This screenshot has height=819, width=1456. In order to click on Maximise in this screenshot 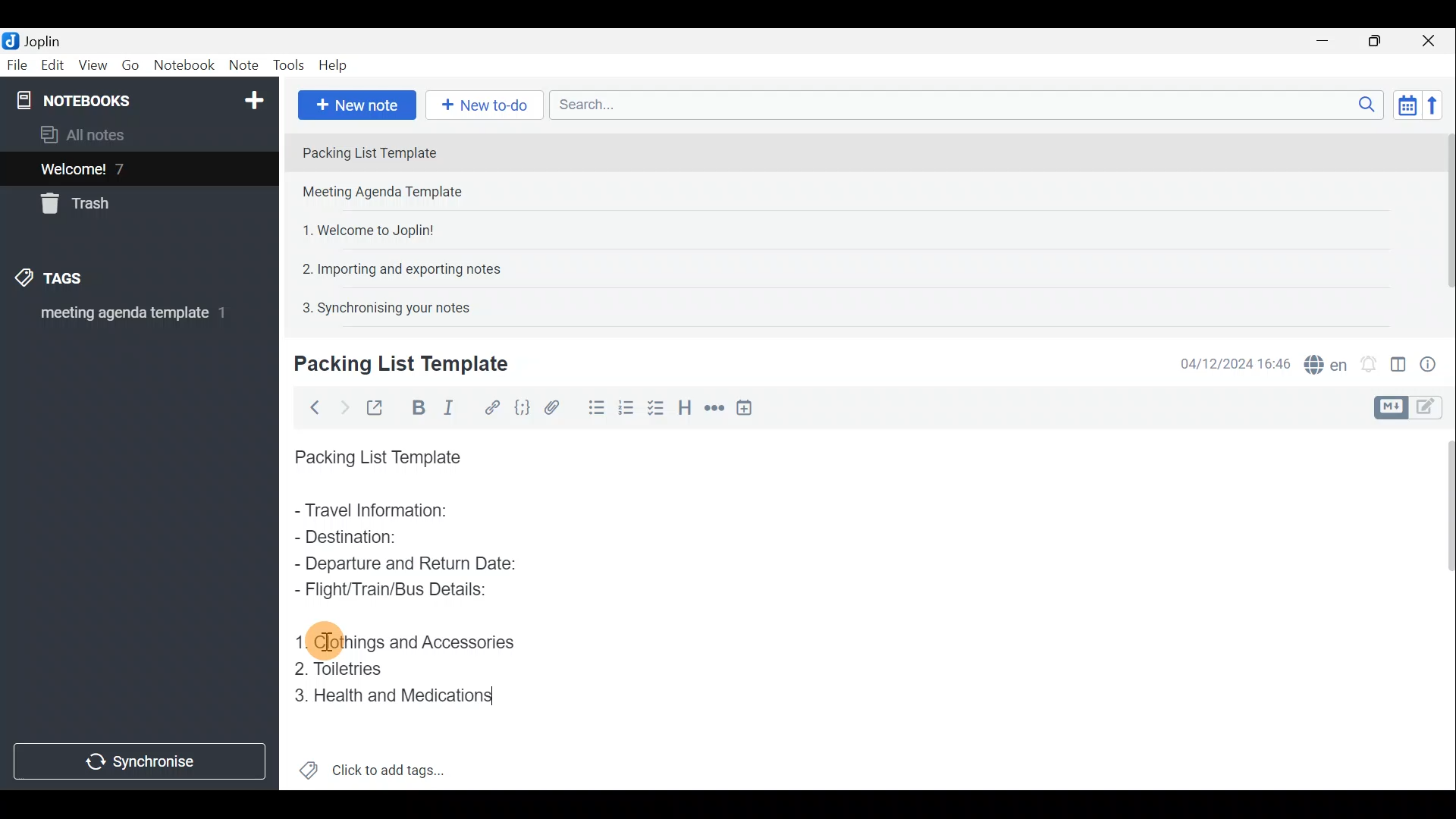, I will do `click(1380, 41)`.